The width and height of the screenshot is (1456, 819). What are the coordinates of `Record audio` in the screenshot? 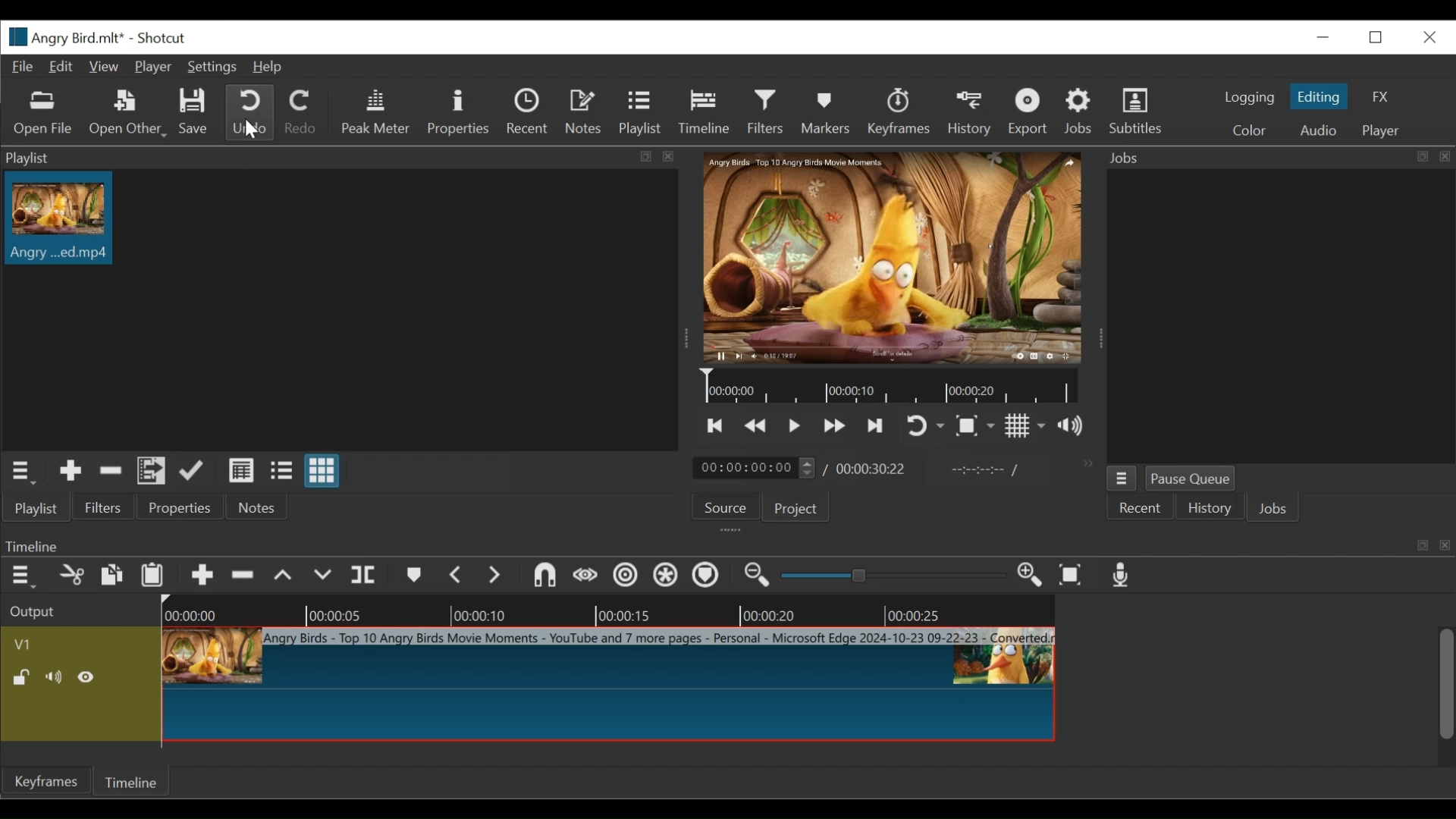 It's located at (1125, 576).